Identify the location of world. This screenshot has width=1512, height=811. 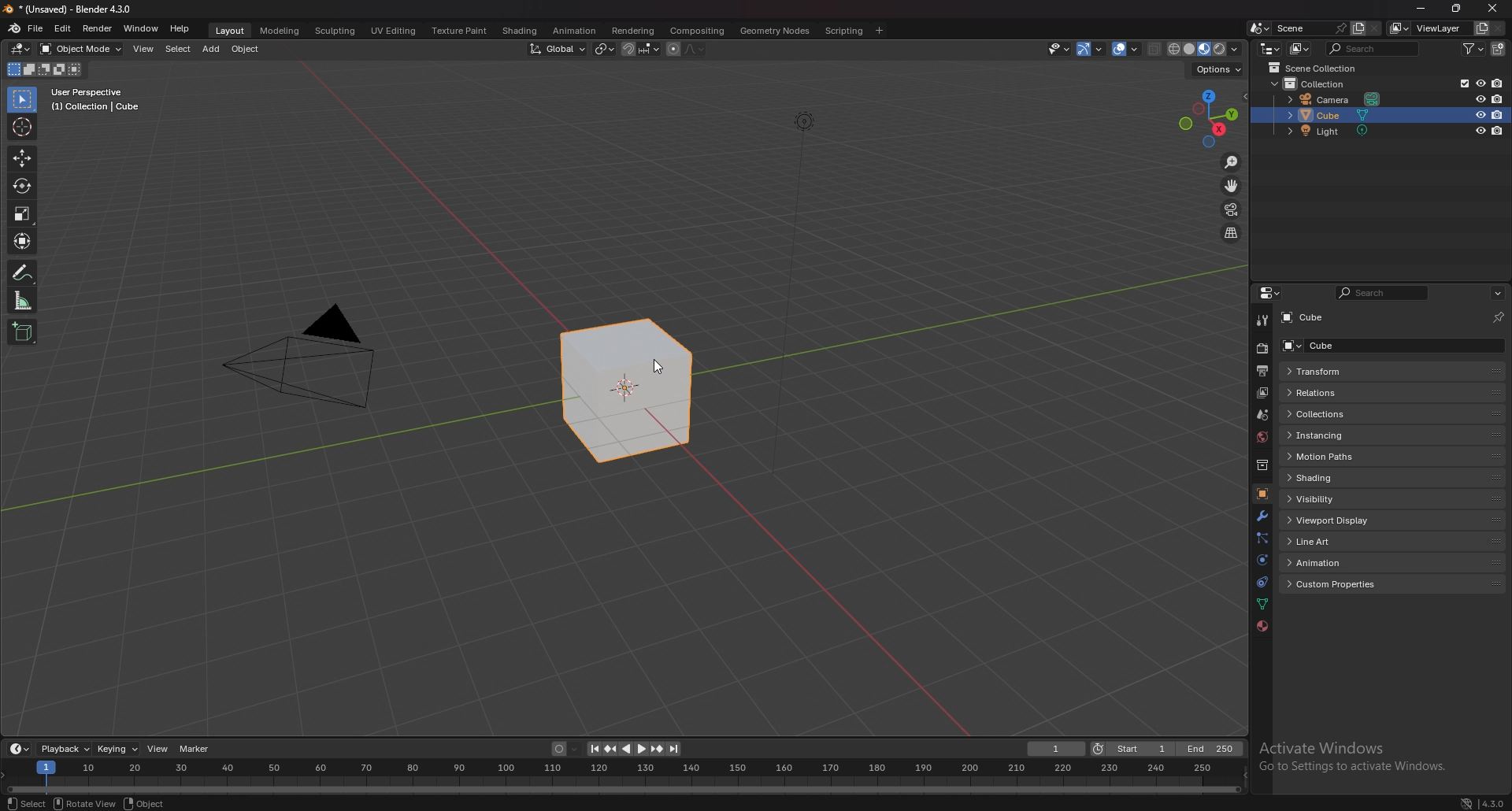
(1261, 437).